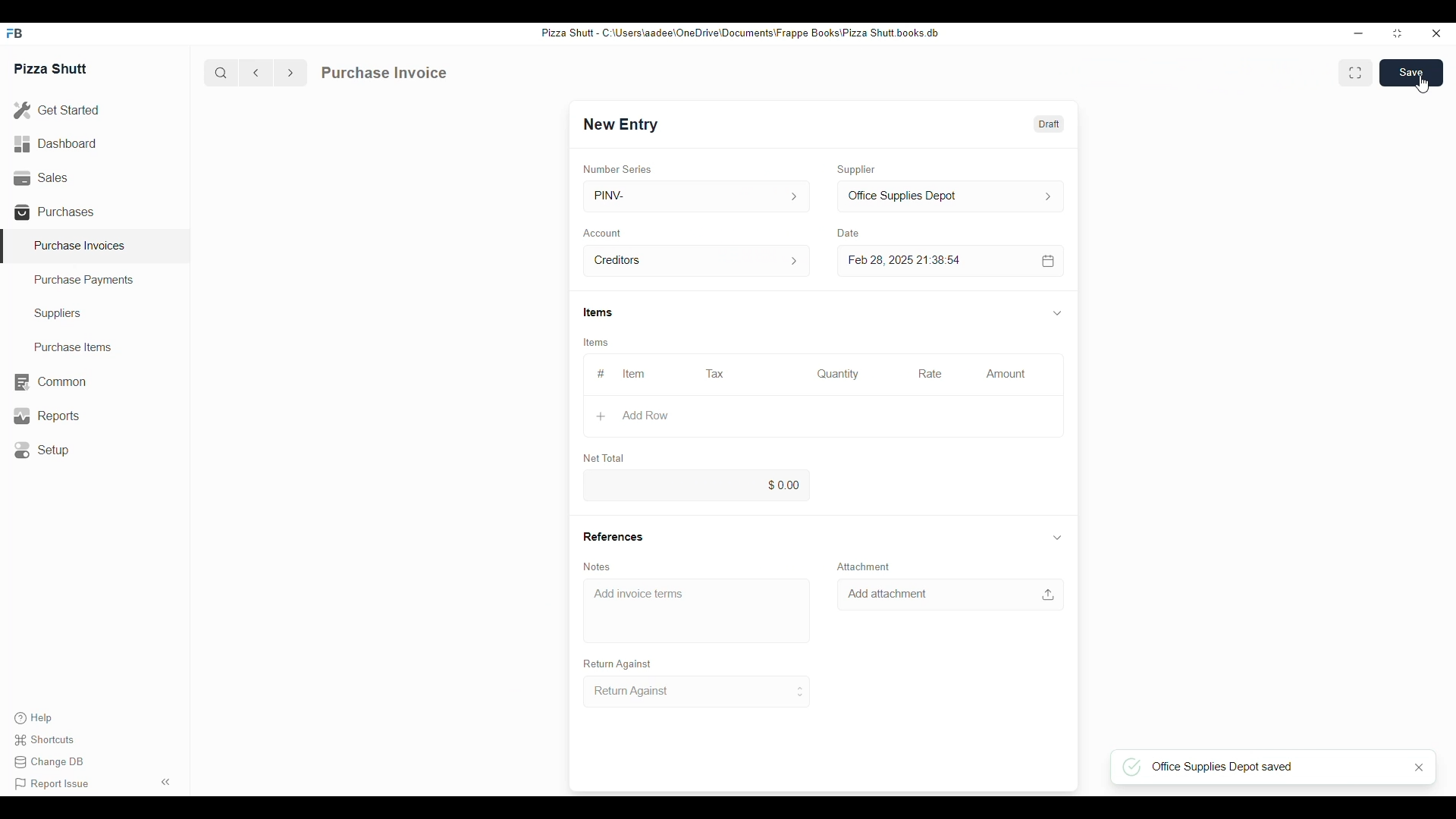 The height and width of the screenshot is (819, 1456). What do you see at coordinates (45, 450) in the screenshot?
I see `Setup` at bounding box center [45, 450].